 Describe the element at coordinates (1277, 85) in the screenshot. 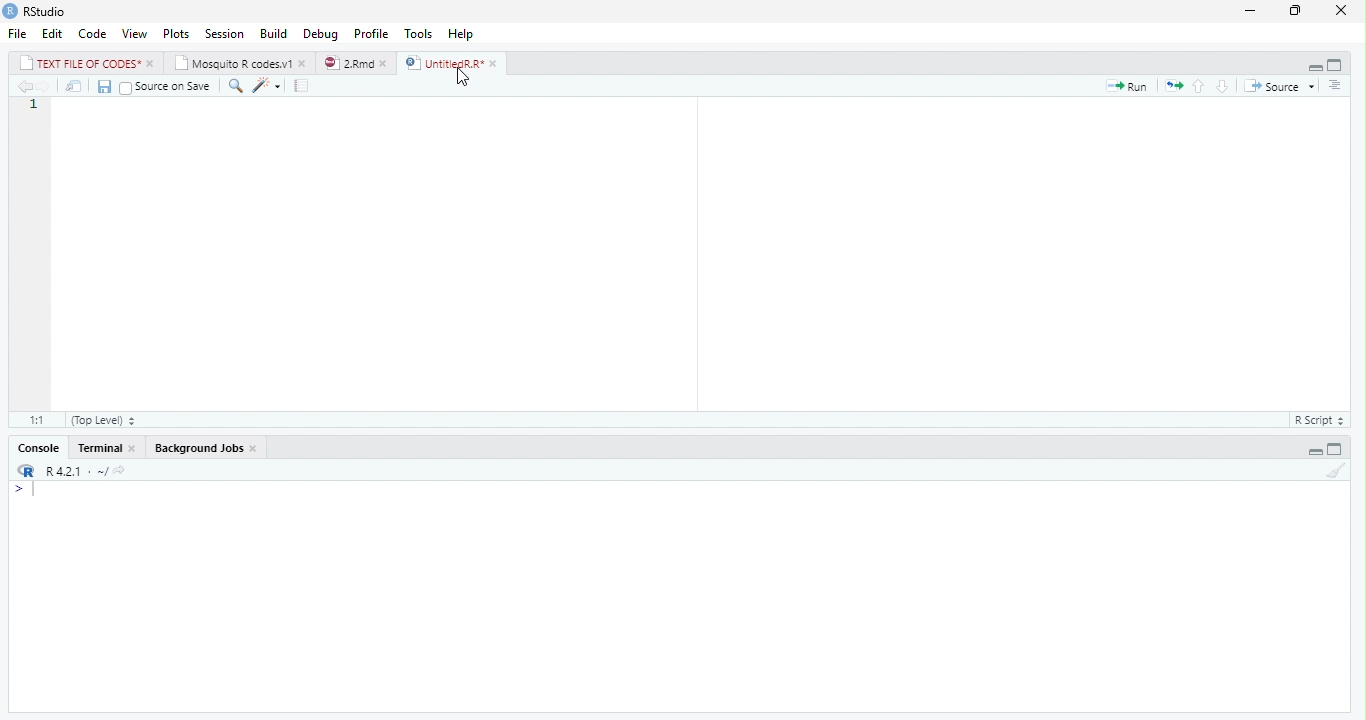

I see `Source` at that location.